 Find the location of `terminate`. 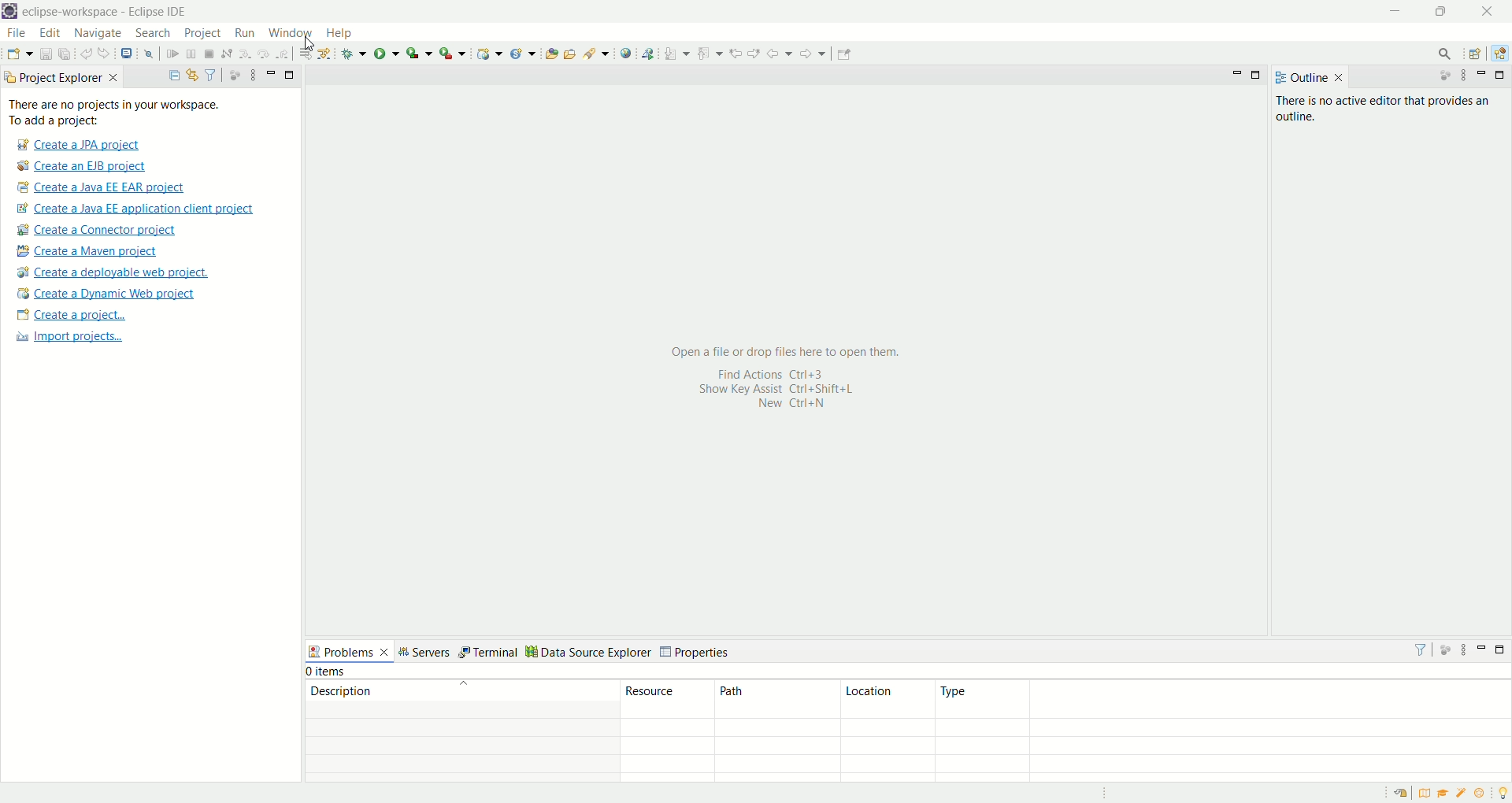

terminate is located at coordinates (209, 53).